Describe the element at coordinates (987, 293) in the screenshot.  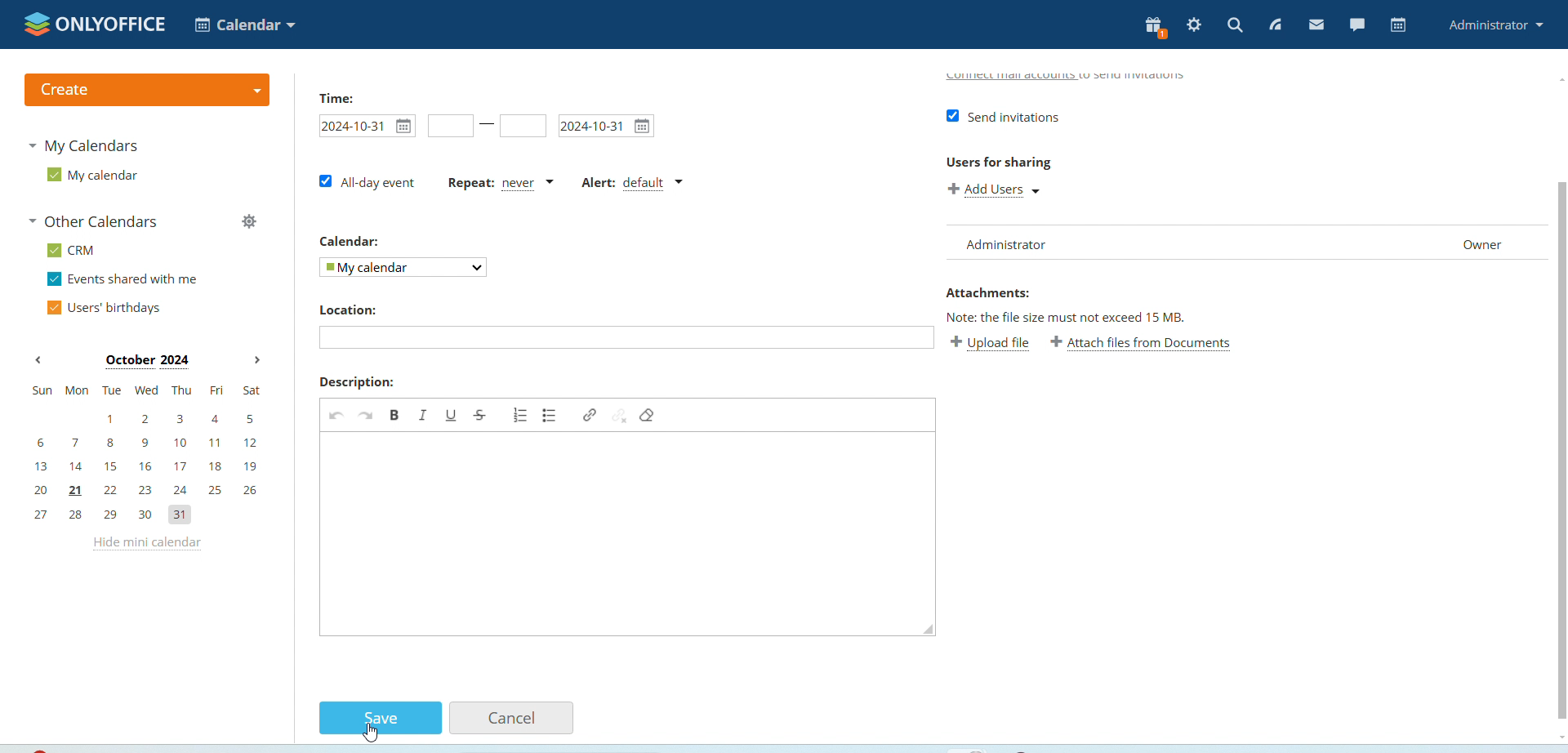
I see `Attachments` at that location.